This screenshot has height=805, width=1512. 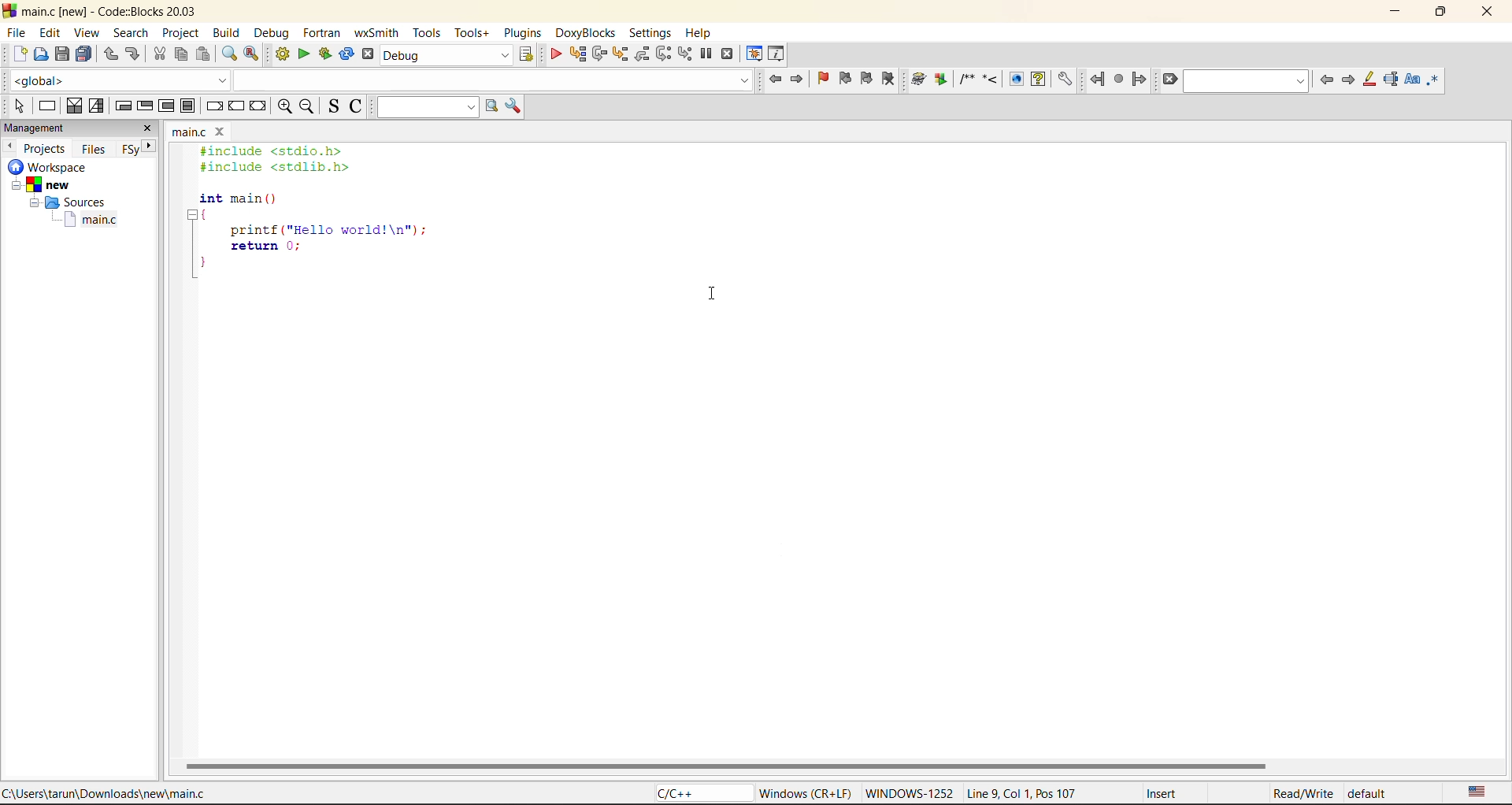 What do you see at coordinates (1171, 80) in the screenshot?
I see `clear` at bounding box center [1171, 80].